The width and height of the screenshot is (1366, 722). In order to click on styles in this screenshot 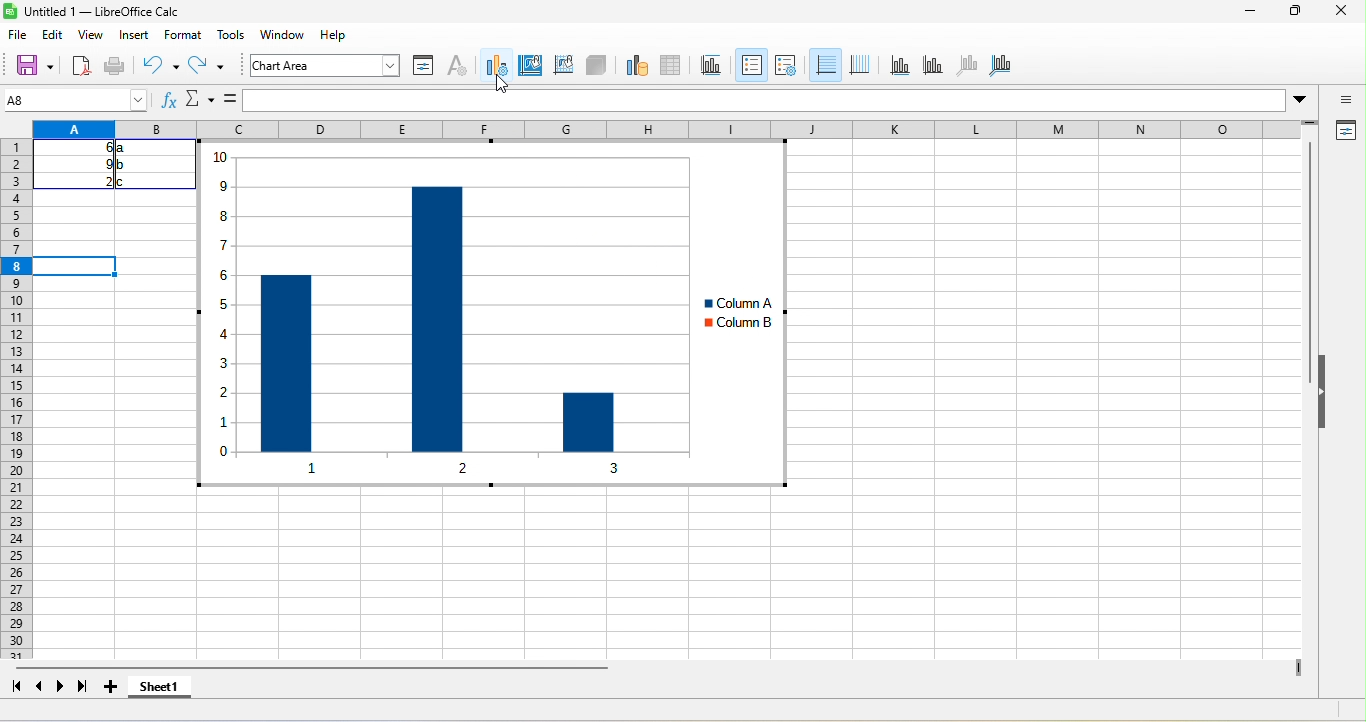, I will do `click(228, 36)`.